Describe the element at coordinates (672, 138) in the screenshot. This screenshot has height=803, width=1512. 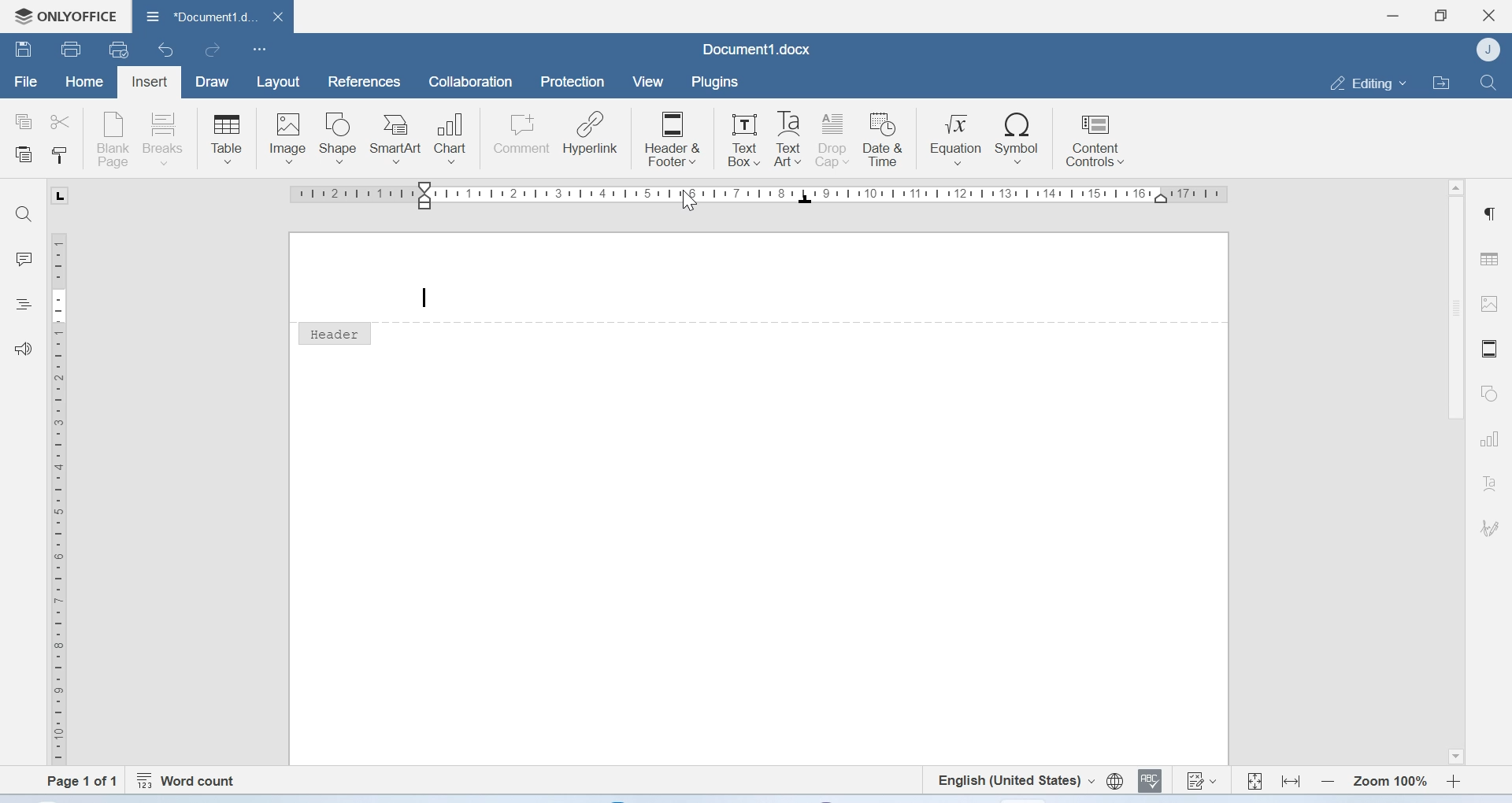
I see `Header & Footer` at that location.